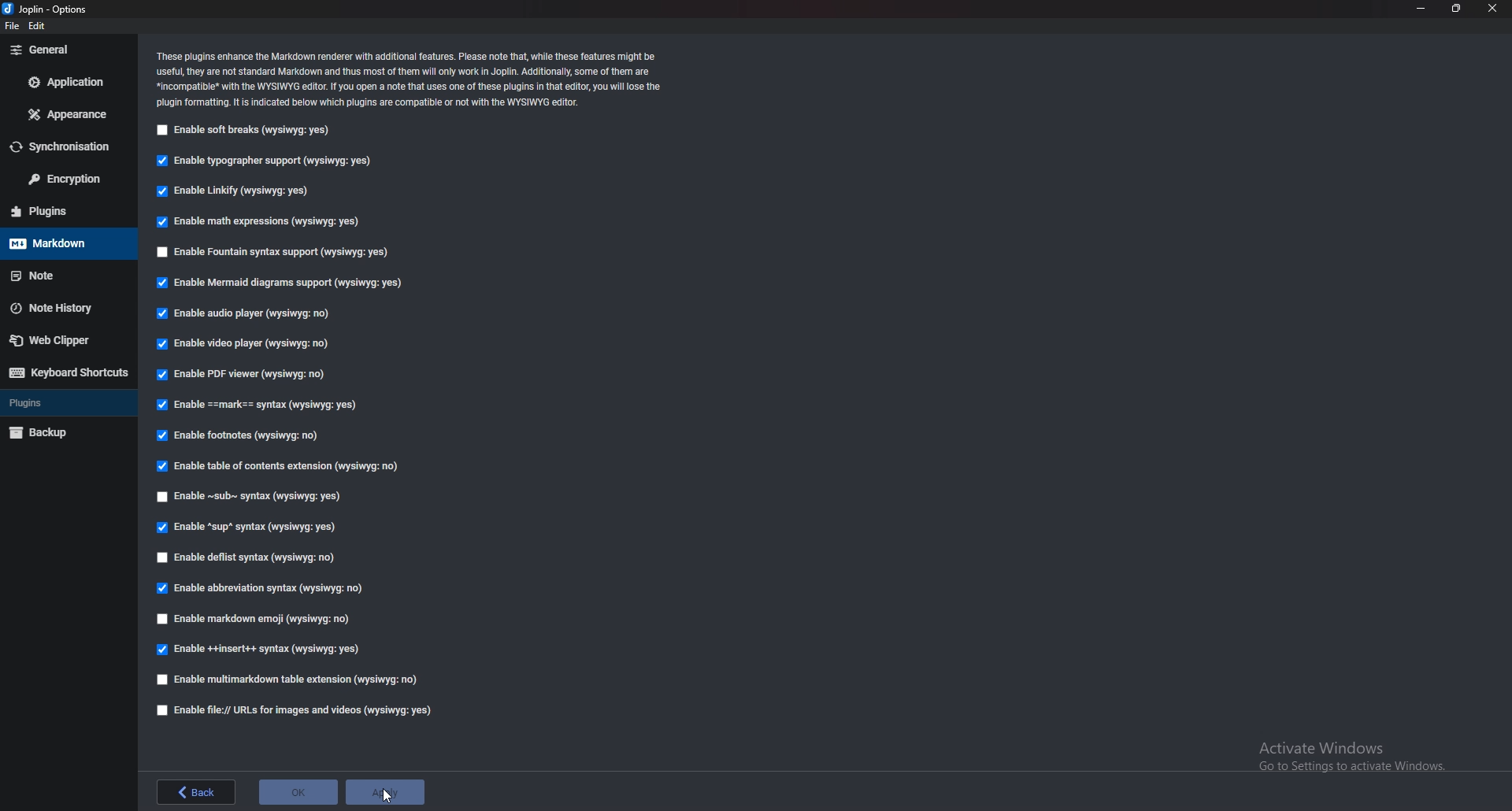  I want to click on close, so click(1494, 8).